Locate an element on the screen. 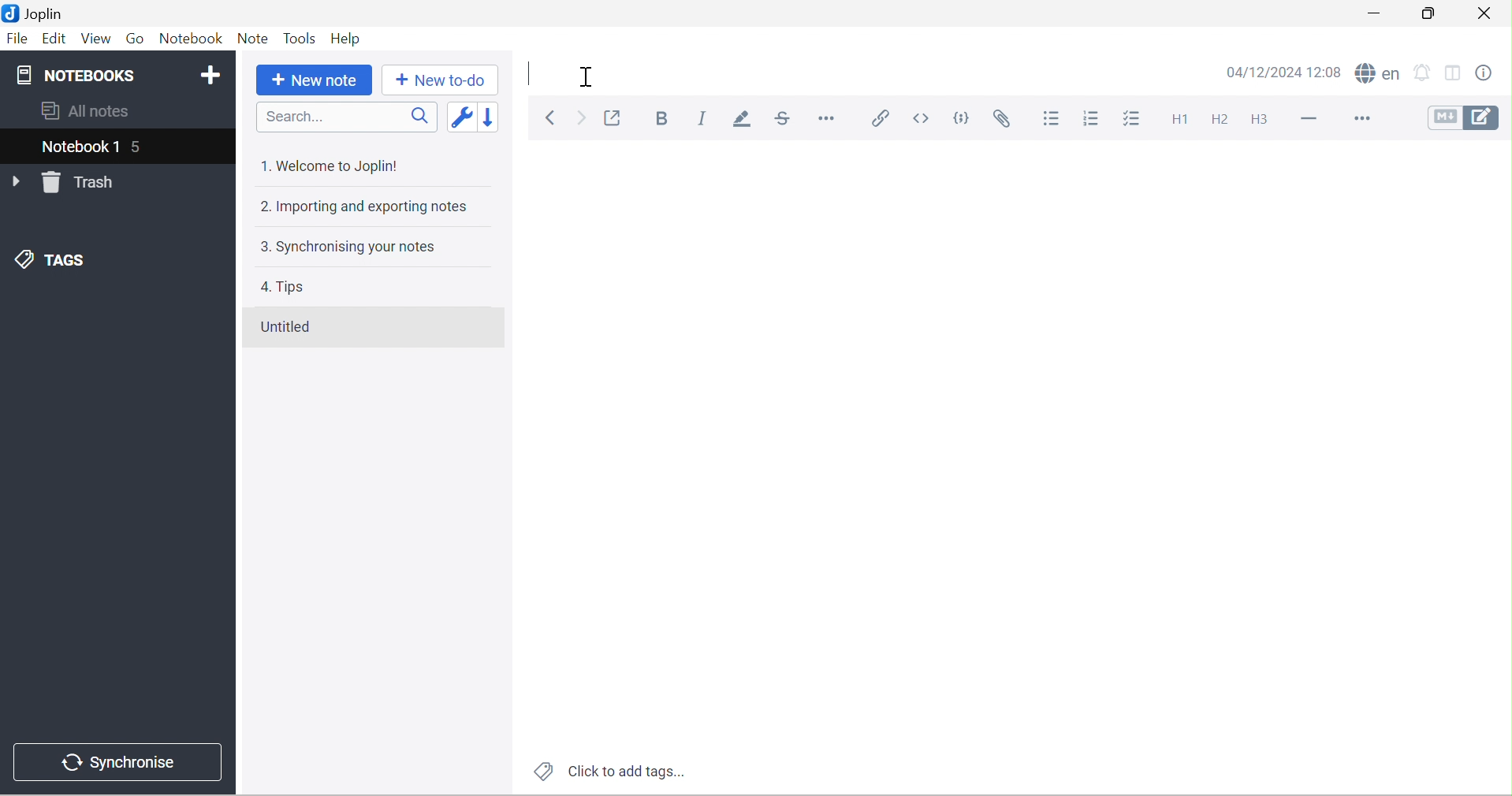 This screenshot has height=796, width=1512. Horizontal line is located at coordinates (1304, 121).